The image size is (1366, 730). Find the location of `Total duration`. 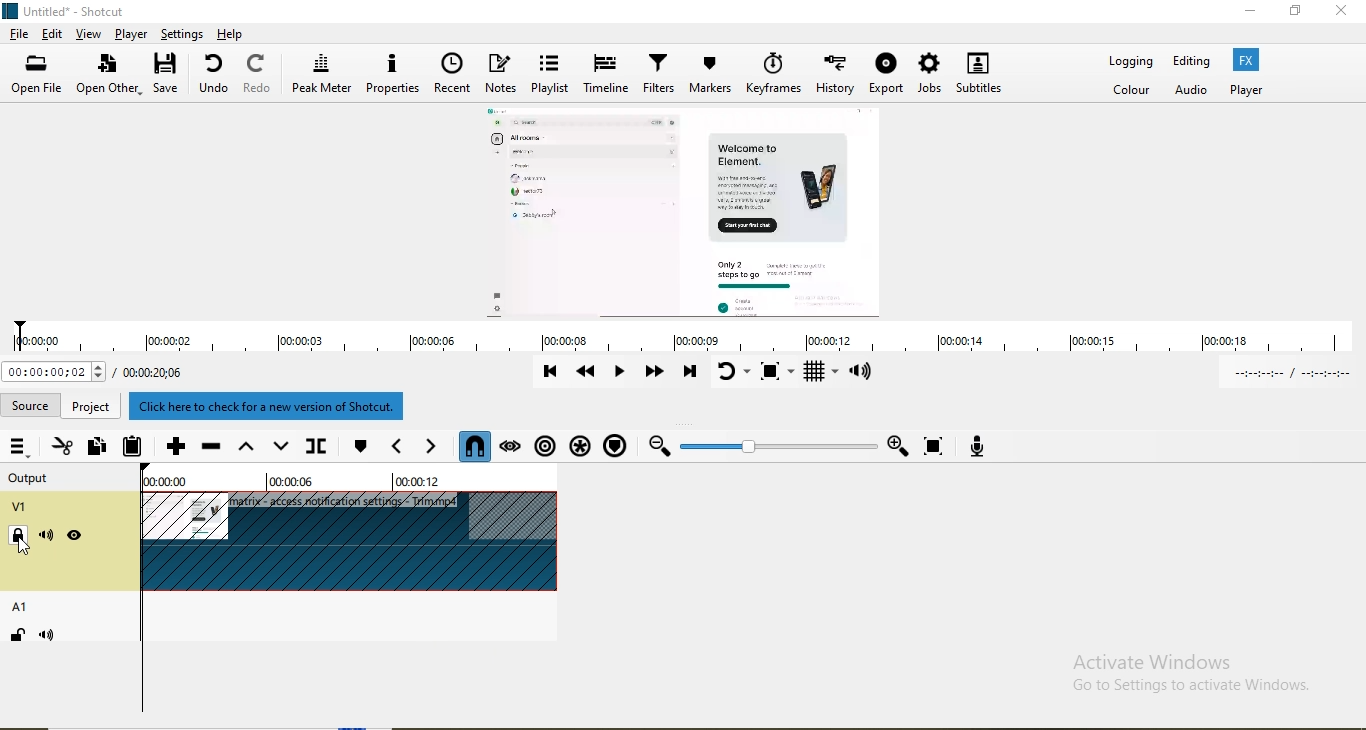

Total duration is located at coordinates (157, 371).